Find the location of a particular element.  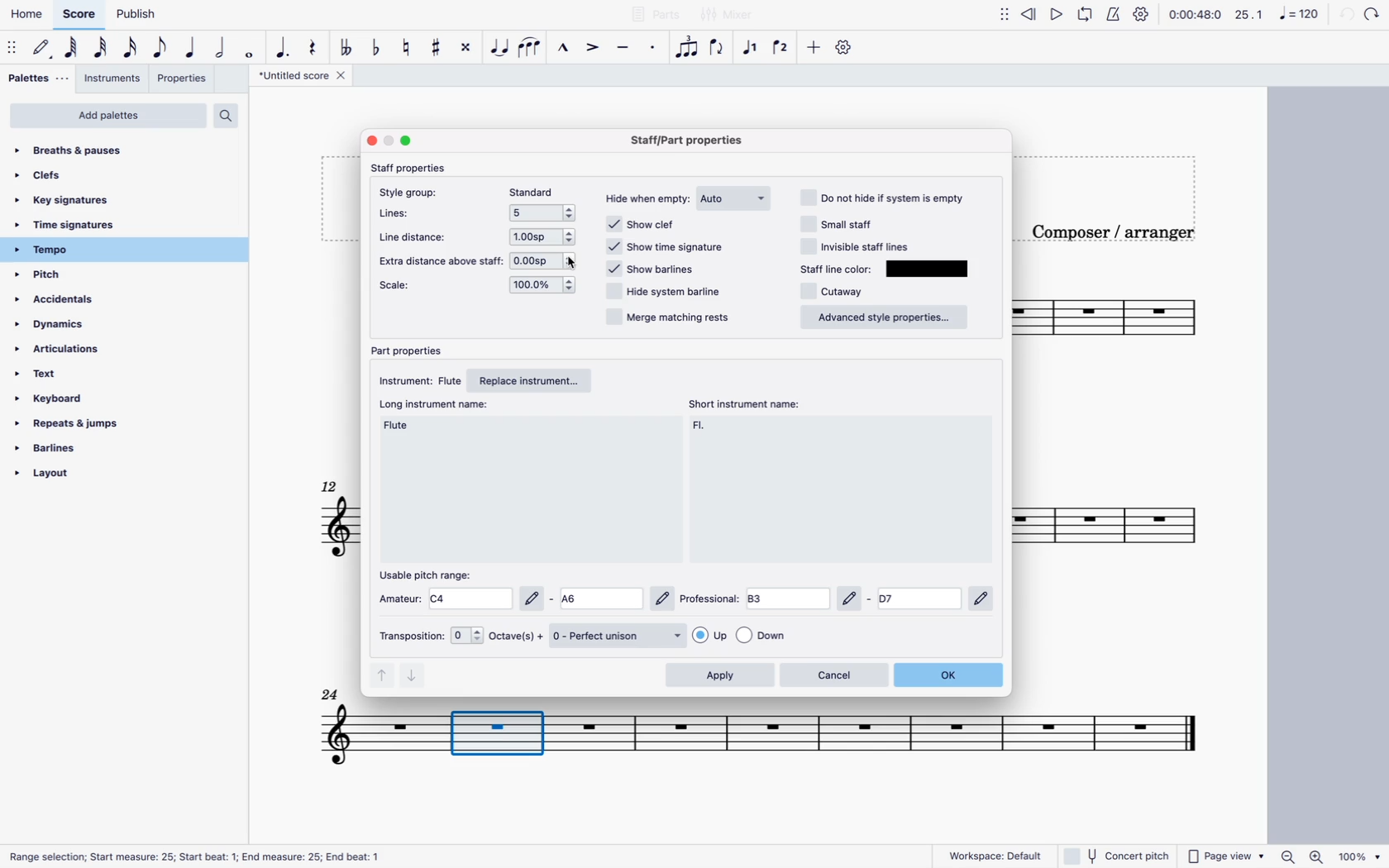

eighth note is located at coordinates (160, 47).